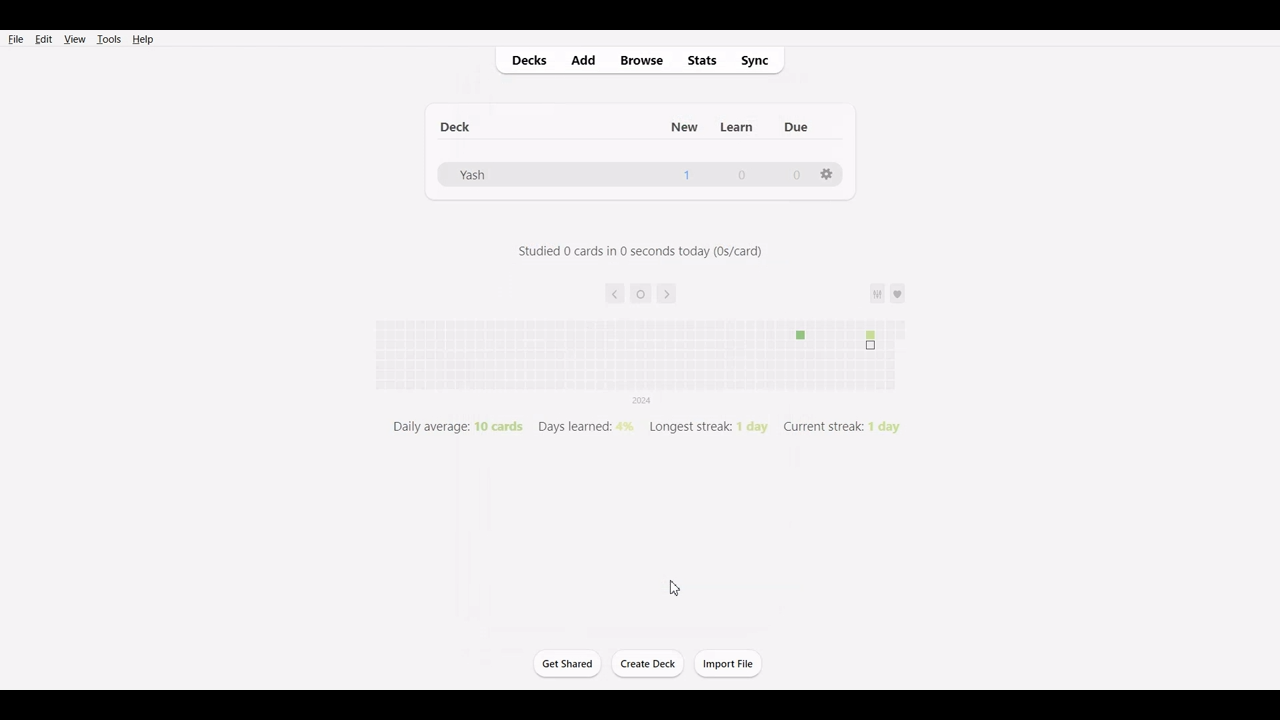  Describe the element at coordinates (762, 58) in the screenshot. I see `Sync` at that location.